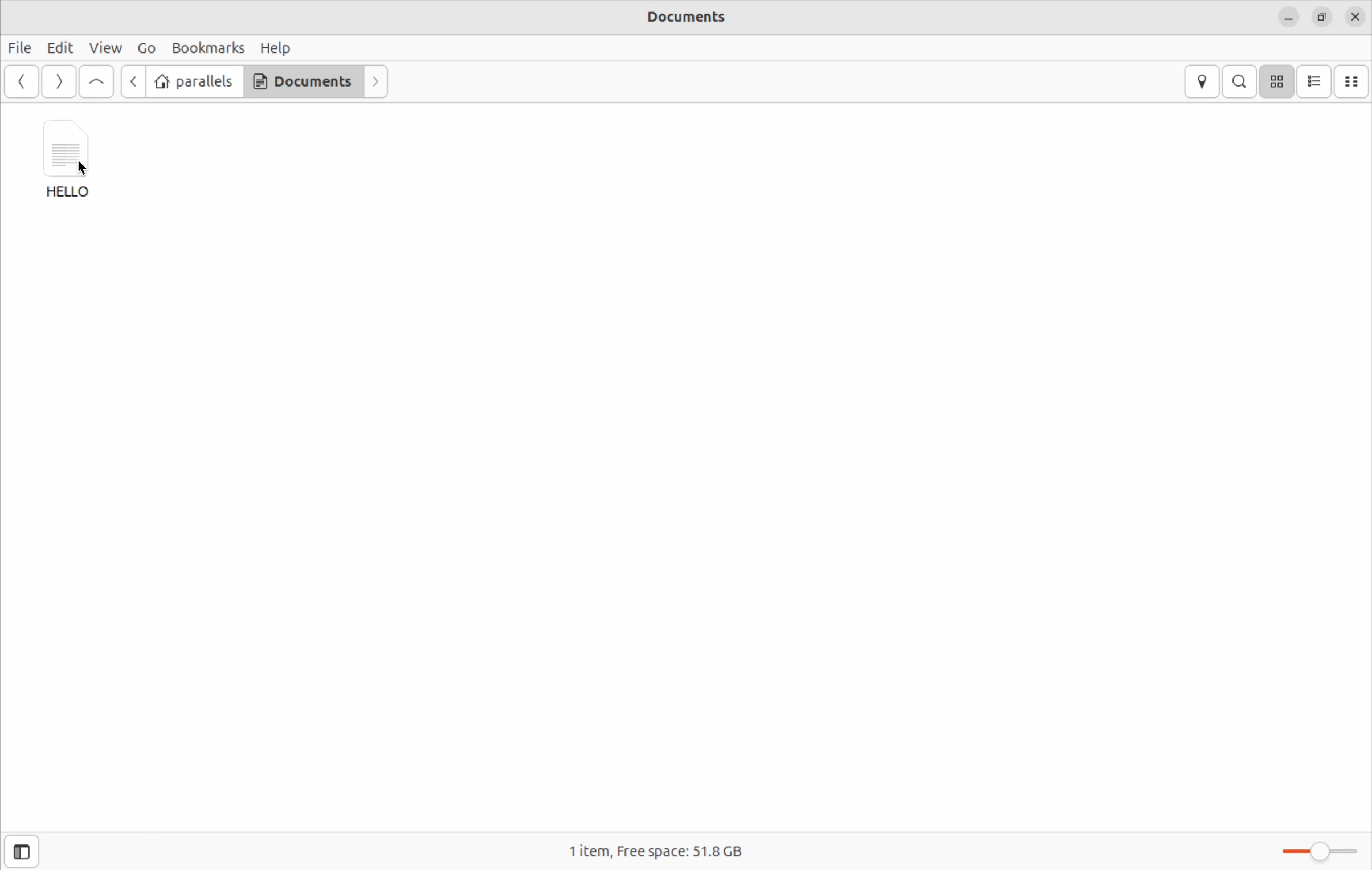 The image size is (1372, 870). I want to click on Cursor, so click(79, 166).